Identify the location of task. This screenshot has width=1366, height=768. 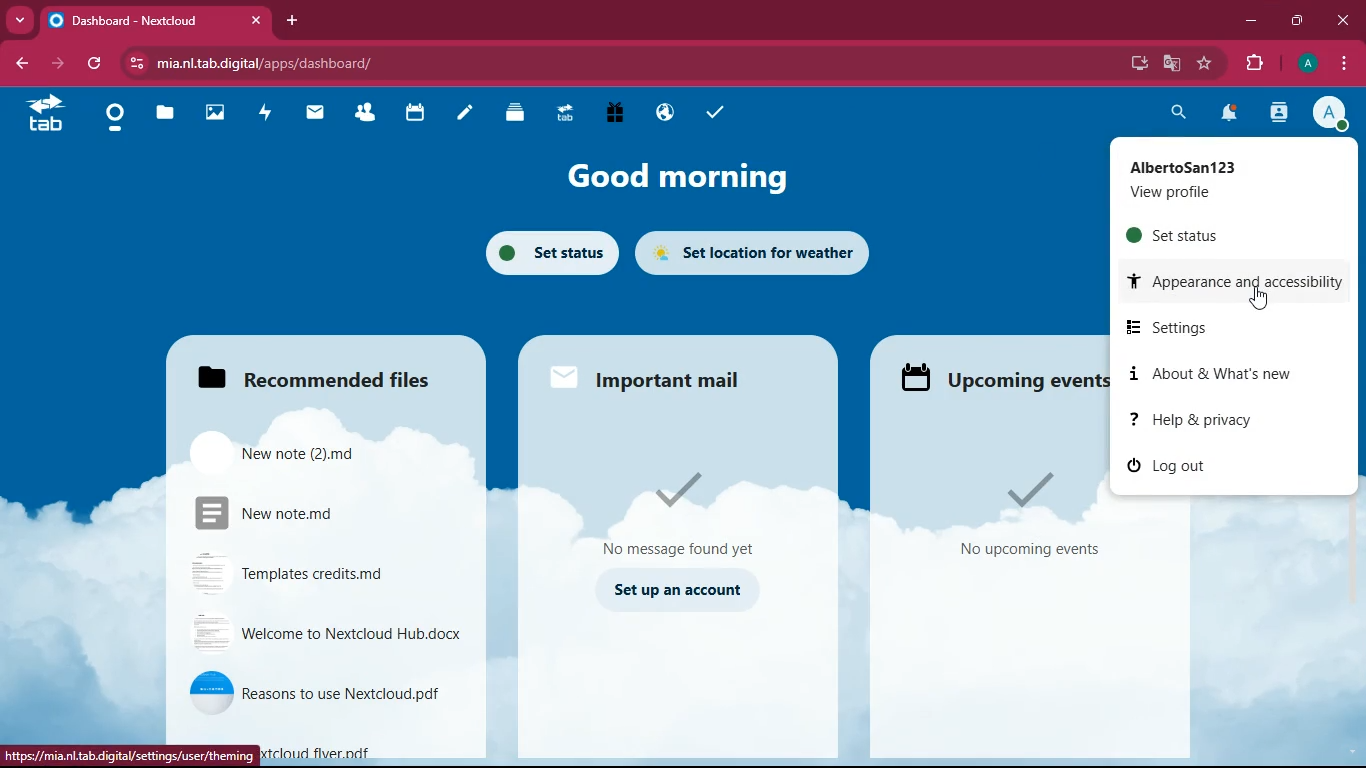
(711, 112).